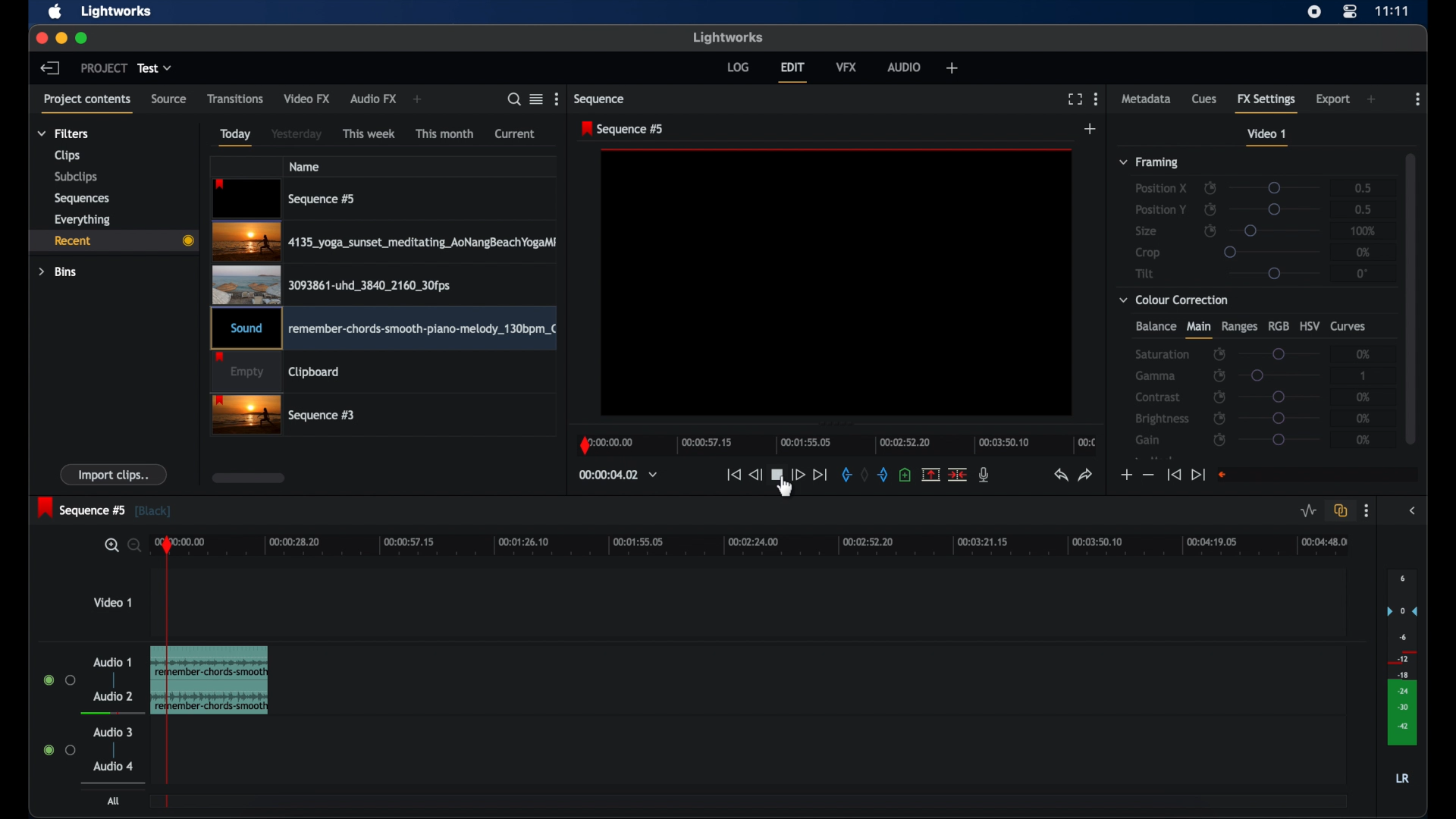 The height and width of the screenshot is (819, 1456). Describe the element at coordinates (114, 474) in the screenshot. I see `import clips` at that location.